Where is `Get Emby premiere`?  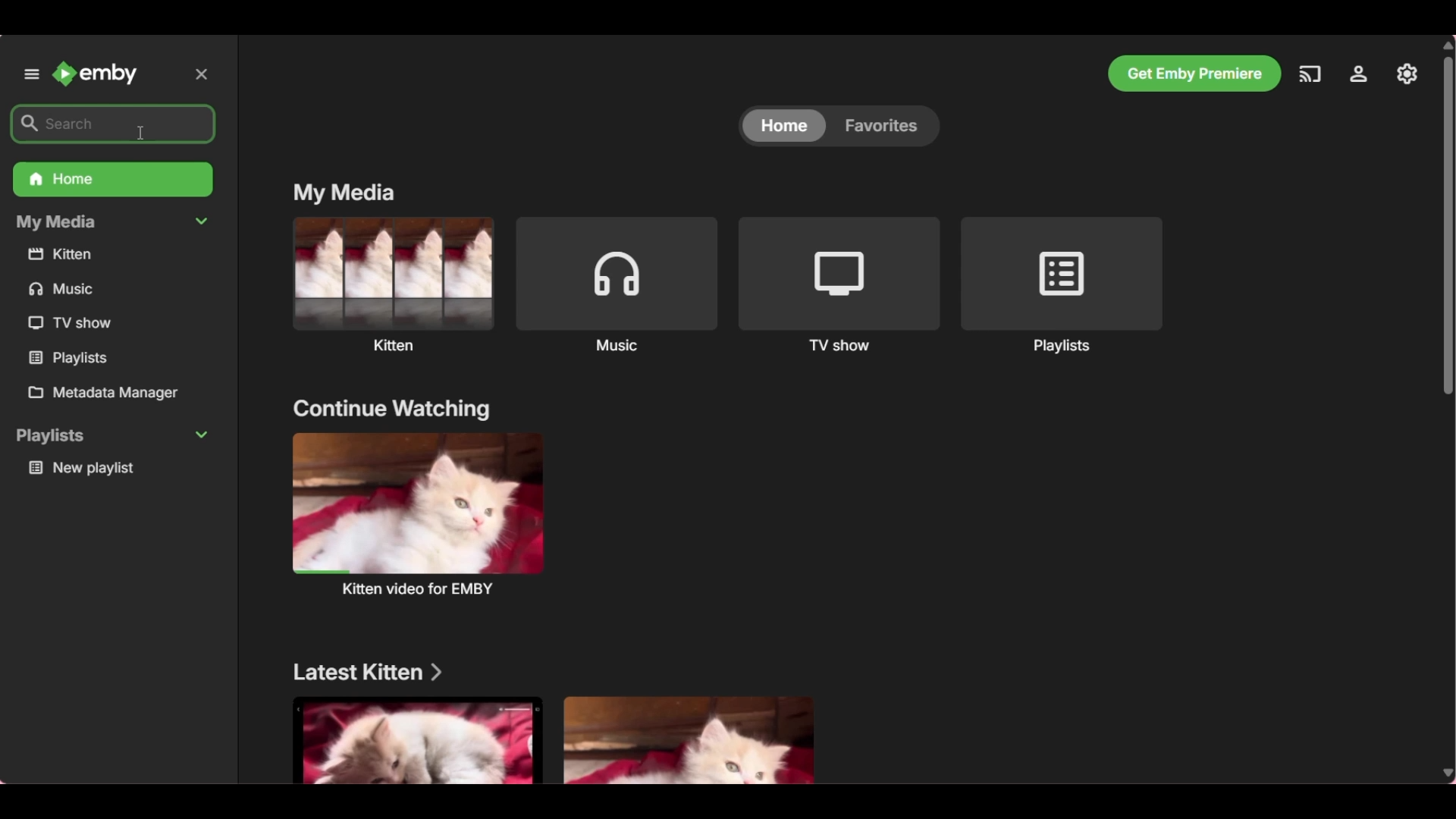 Get Emby premiere is located at coordinates (1194, 74).